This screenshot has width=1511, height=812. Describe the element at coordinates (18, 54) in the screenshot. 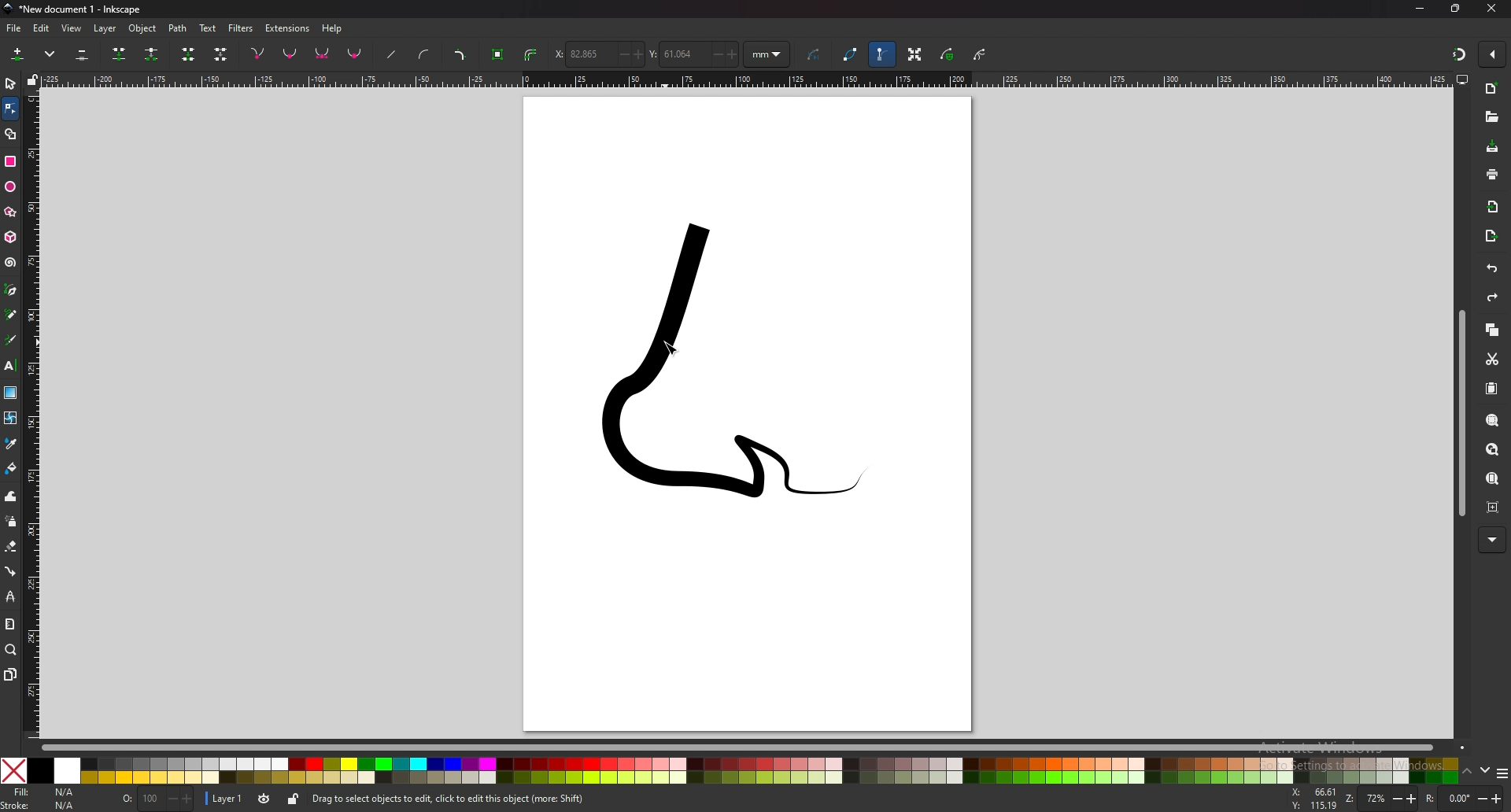

I see `insert new nodes` at that location.